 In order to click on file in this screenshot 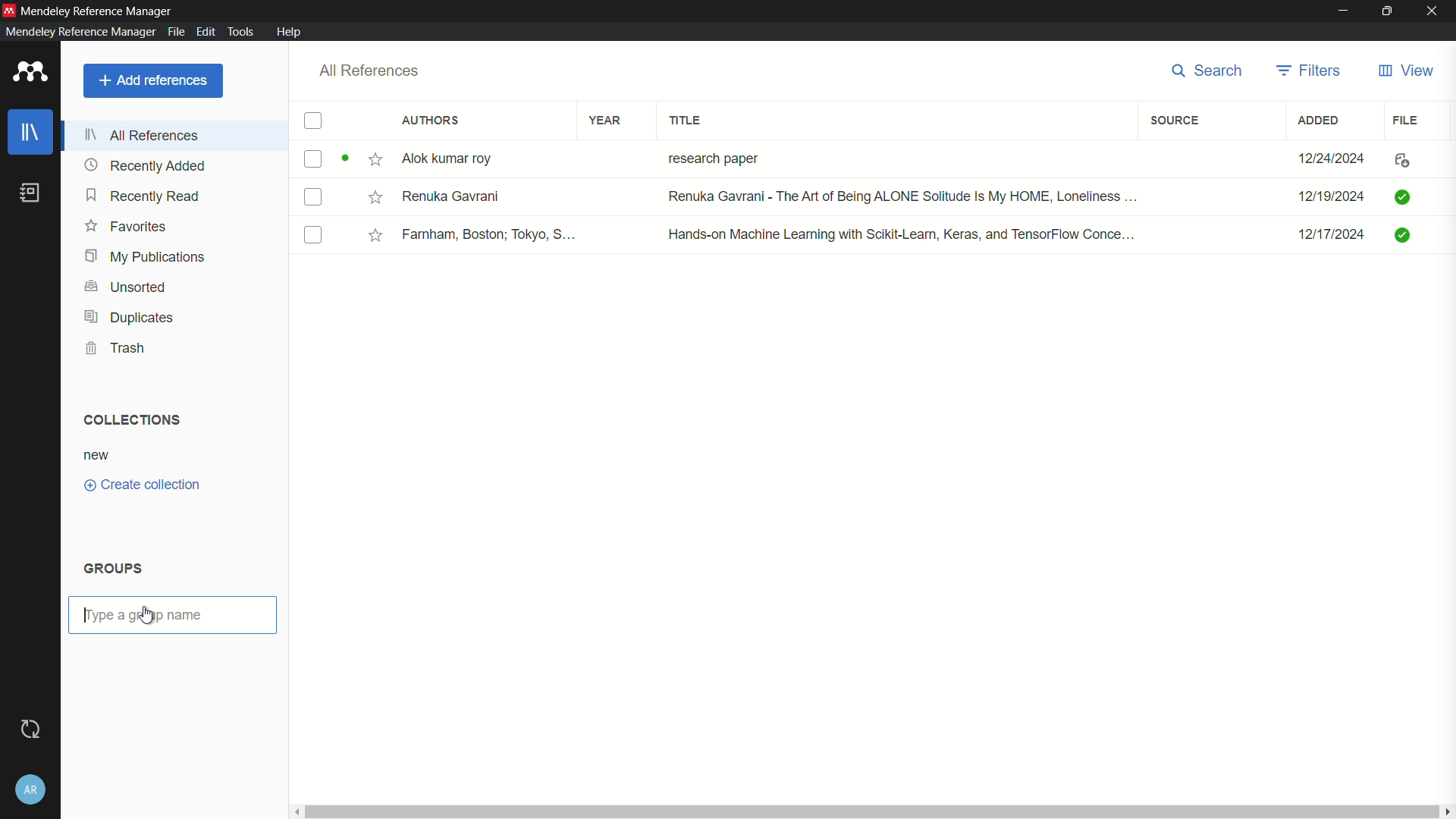, I will do `click(1407, 119)`.